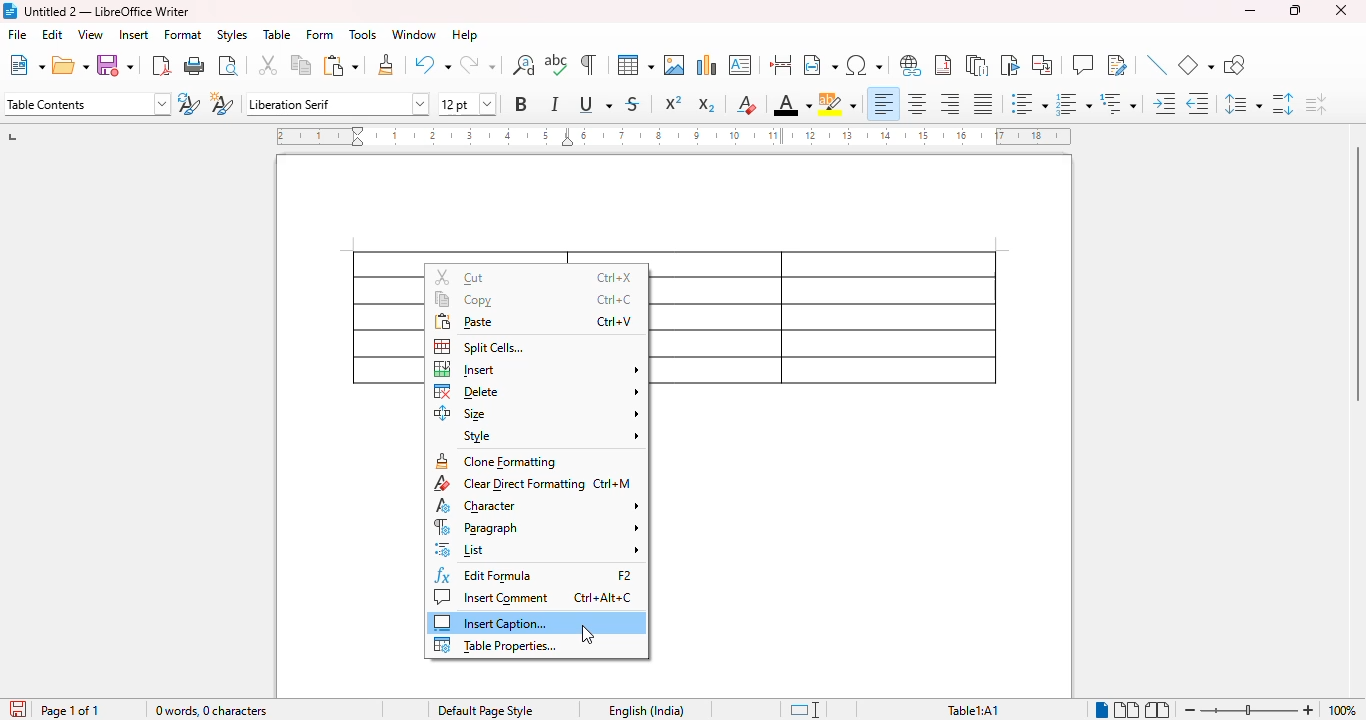 Image resolution: width=1366 pixels, height=720 pixels. What do you see at coordinates (806, 710) in the screenshot?
I see `standard selection` at bounding box center [806, 710].